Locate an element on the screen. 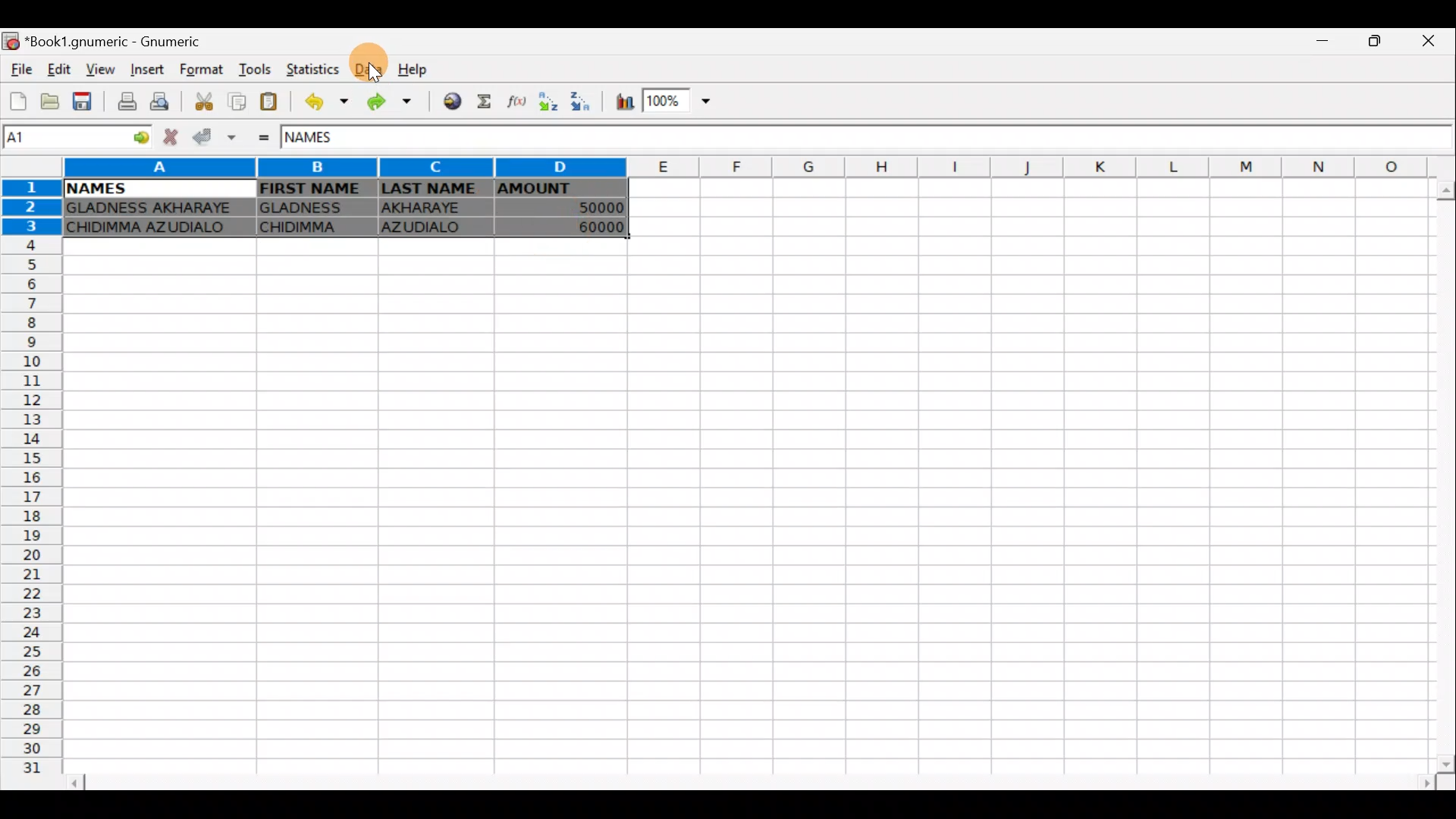  Formula bar is located at coordinates (910, 140).